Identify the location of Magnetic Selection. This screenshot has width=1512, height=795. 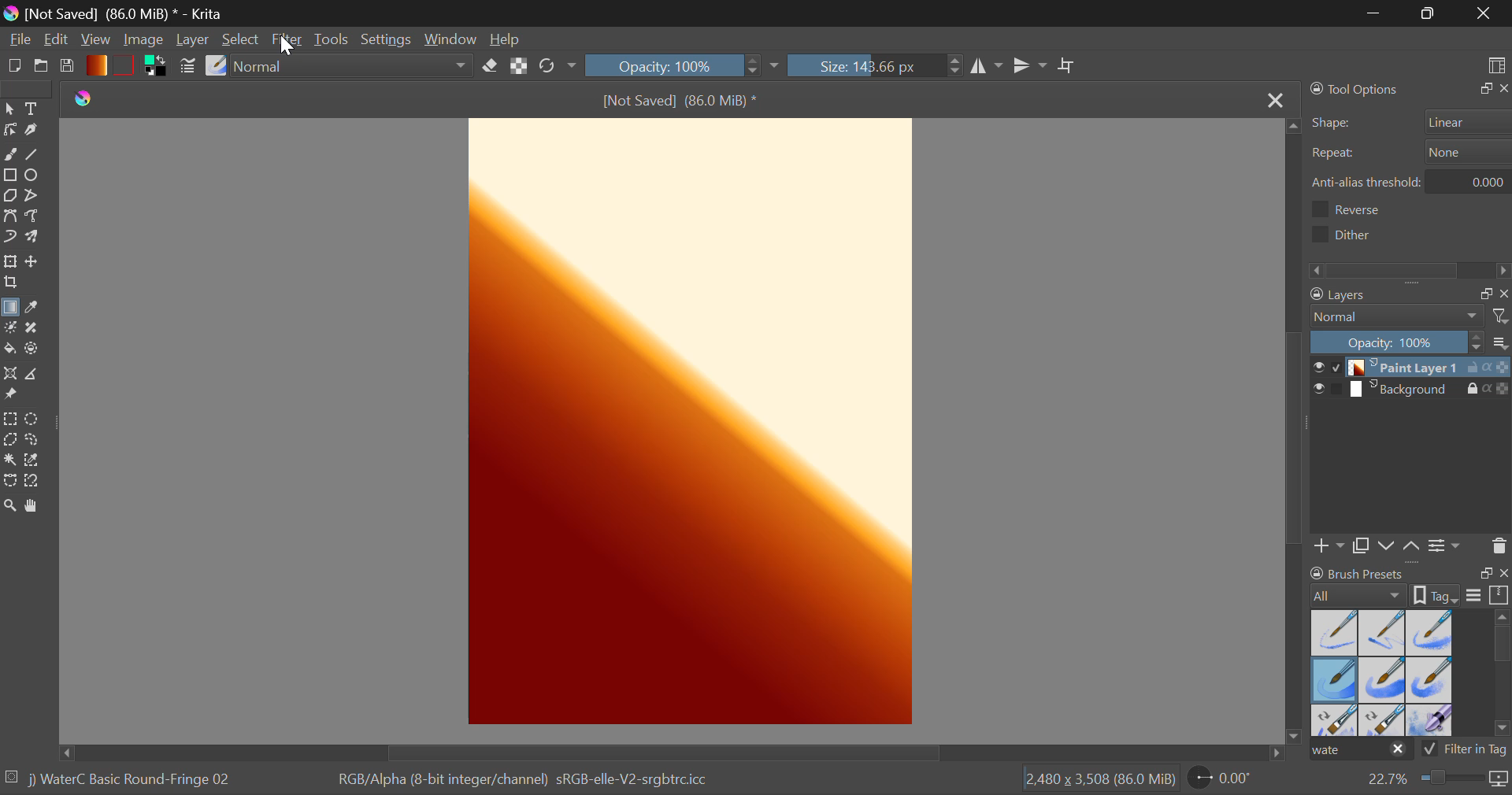
(33, 483).